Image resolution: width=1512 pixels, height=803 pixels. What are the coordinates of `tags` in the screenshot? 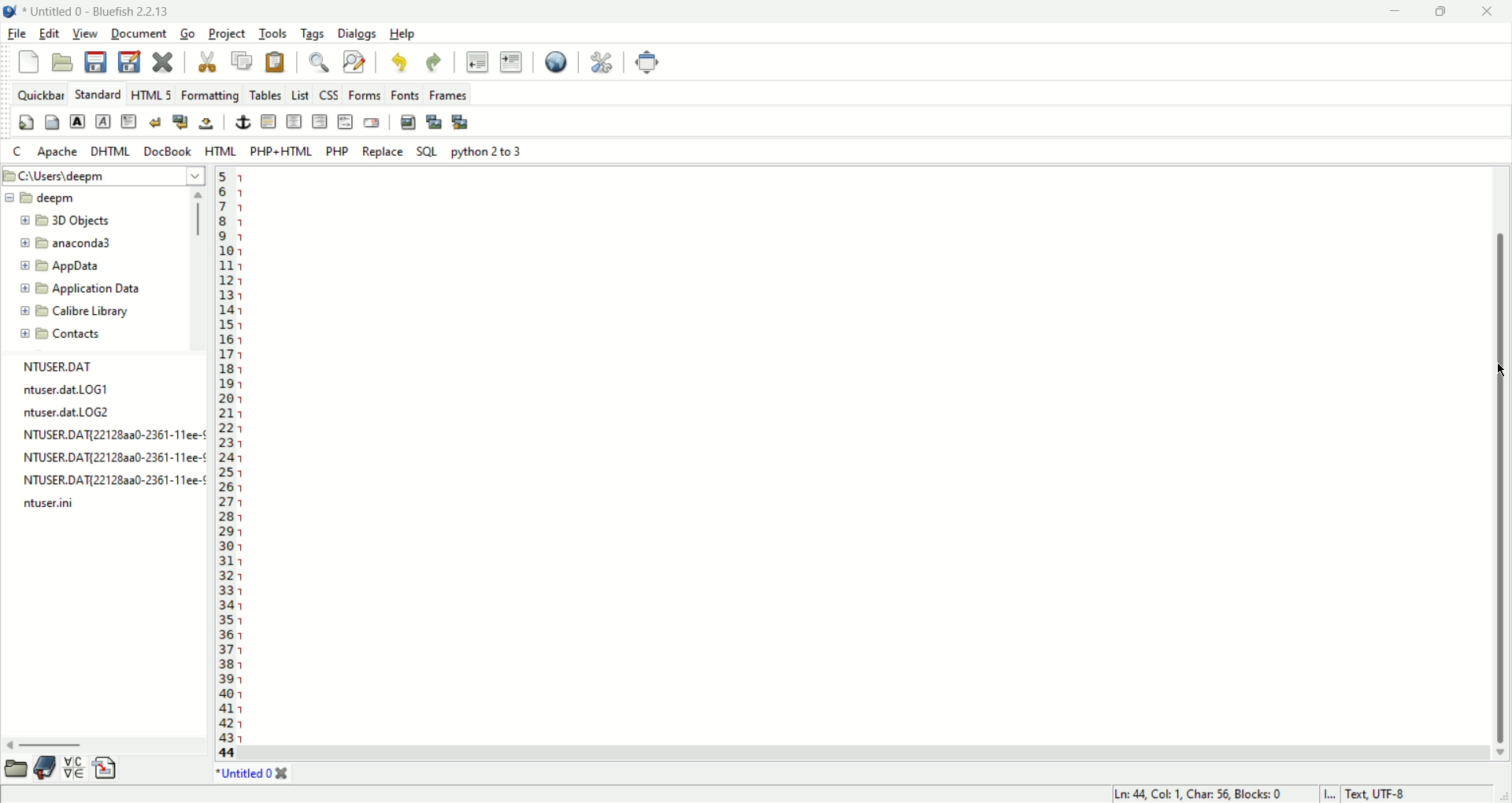 It's located at (313, 35).